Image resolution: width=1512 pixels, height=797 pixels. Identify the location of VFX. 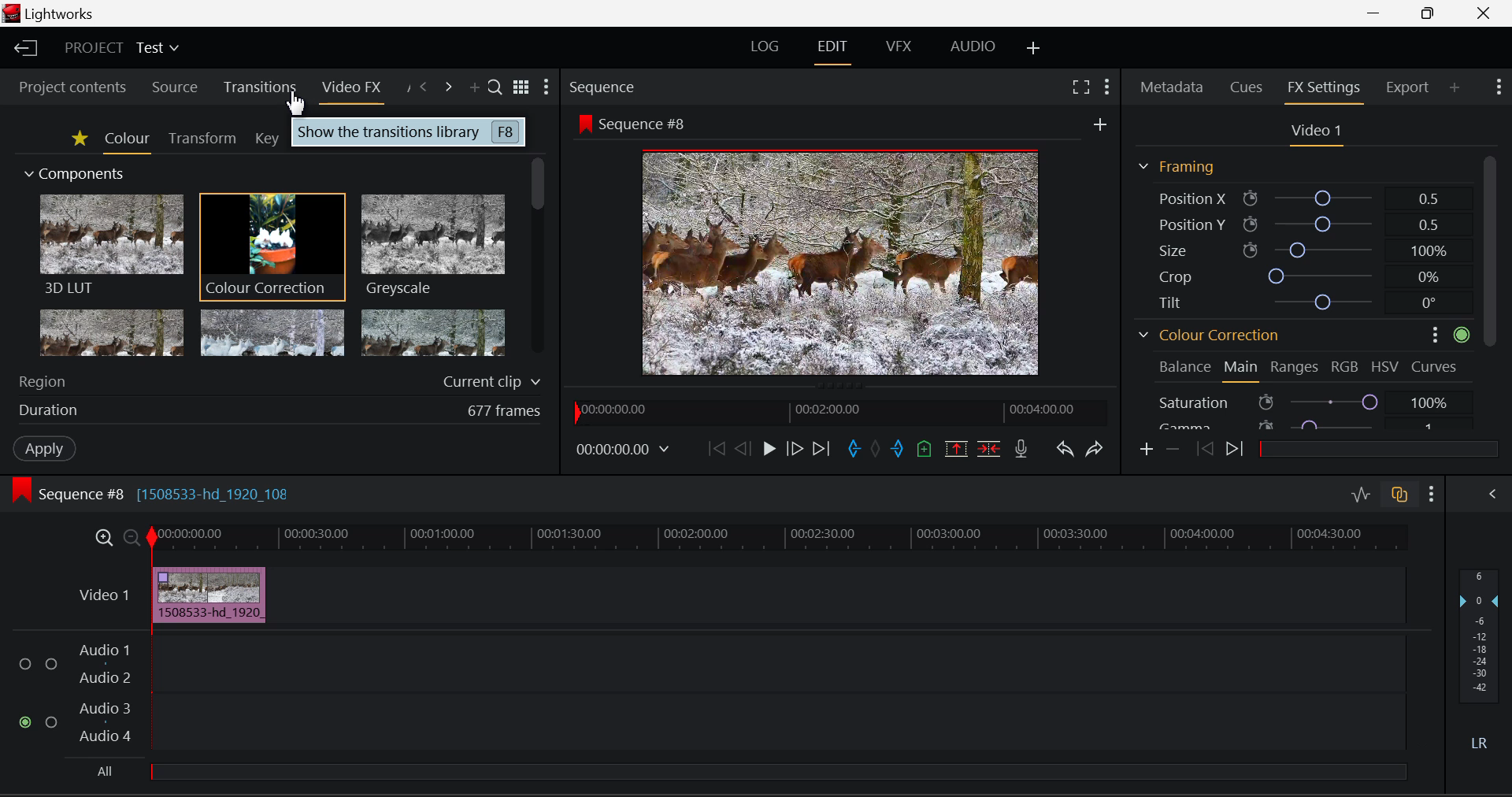
(898, 48).